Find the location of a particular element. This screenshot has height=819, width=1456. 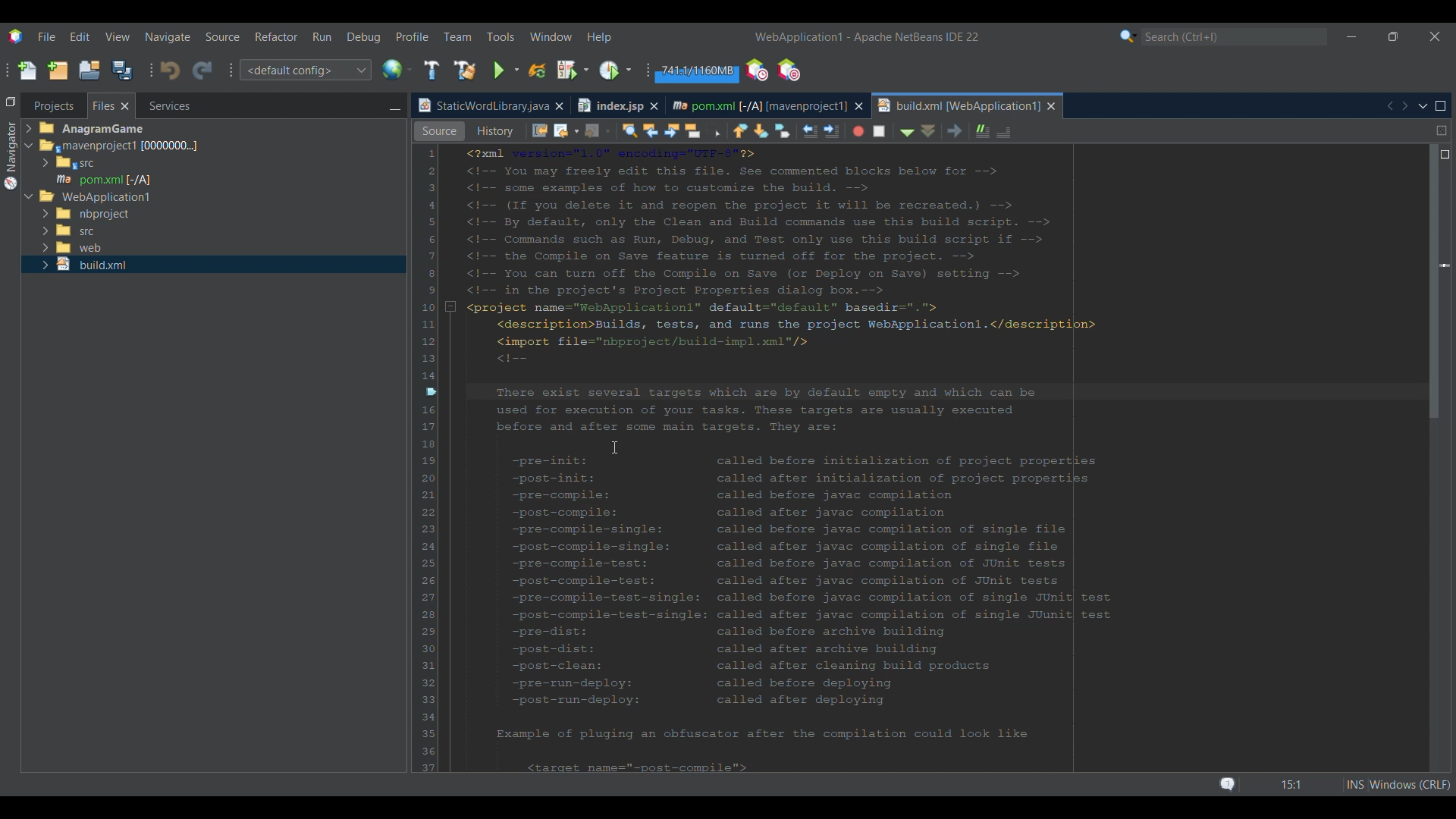

View menu is located at coordinates (118, 37).